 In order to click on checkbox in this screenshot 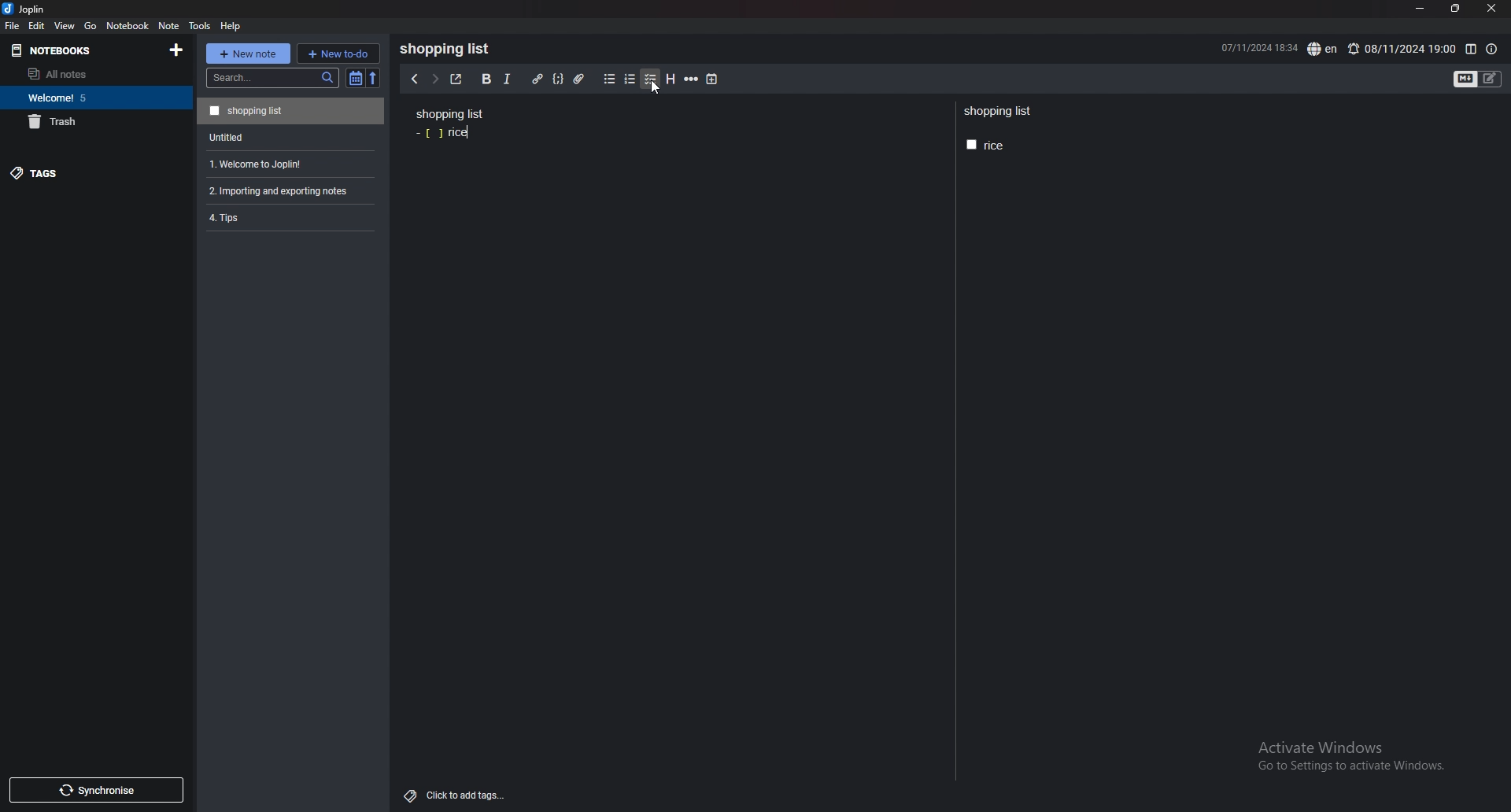, I will do `click(651, 79)`.